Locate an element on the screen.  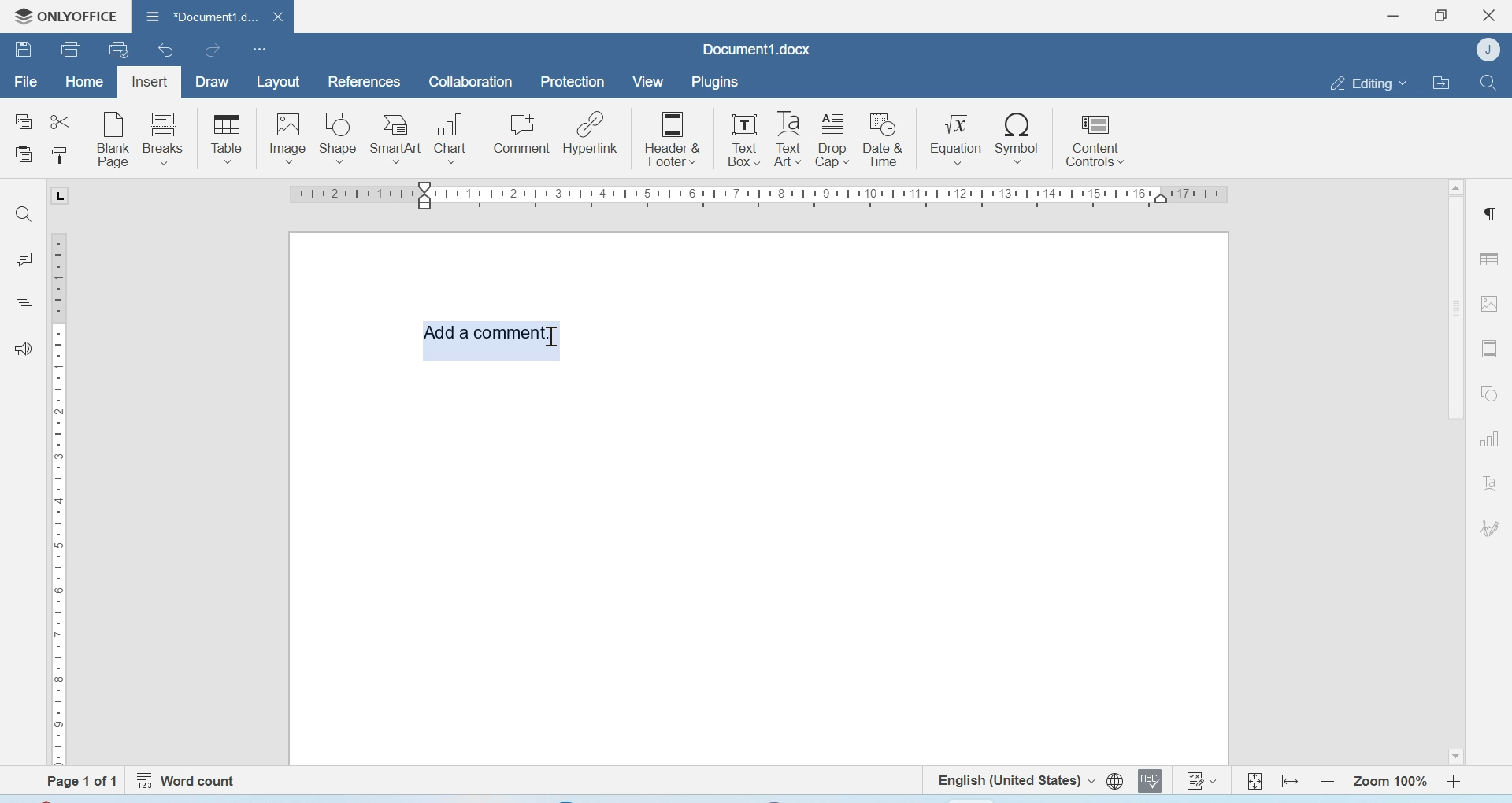
Text Box is located at coordinates (740, 139).